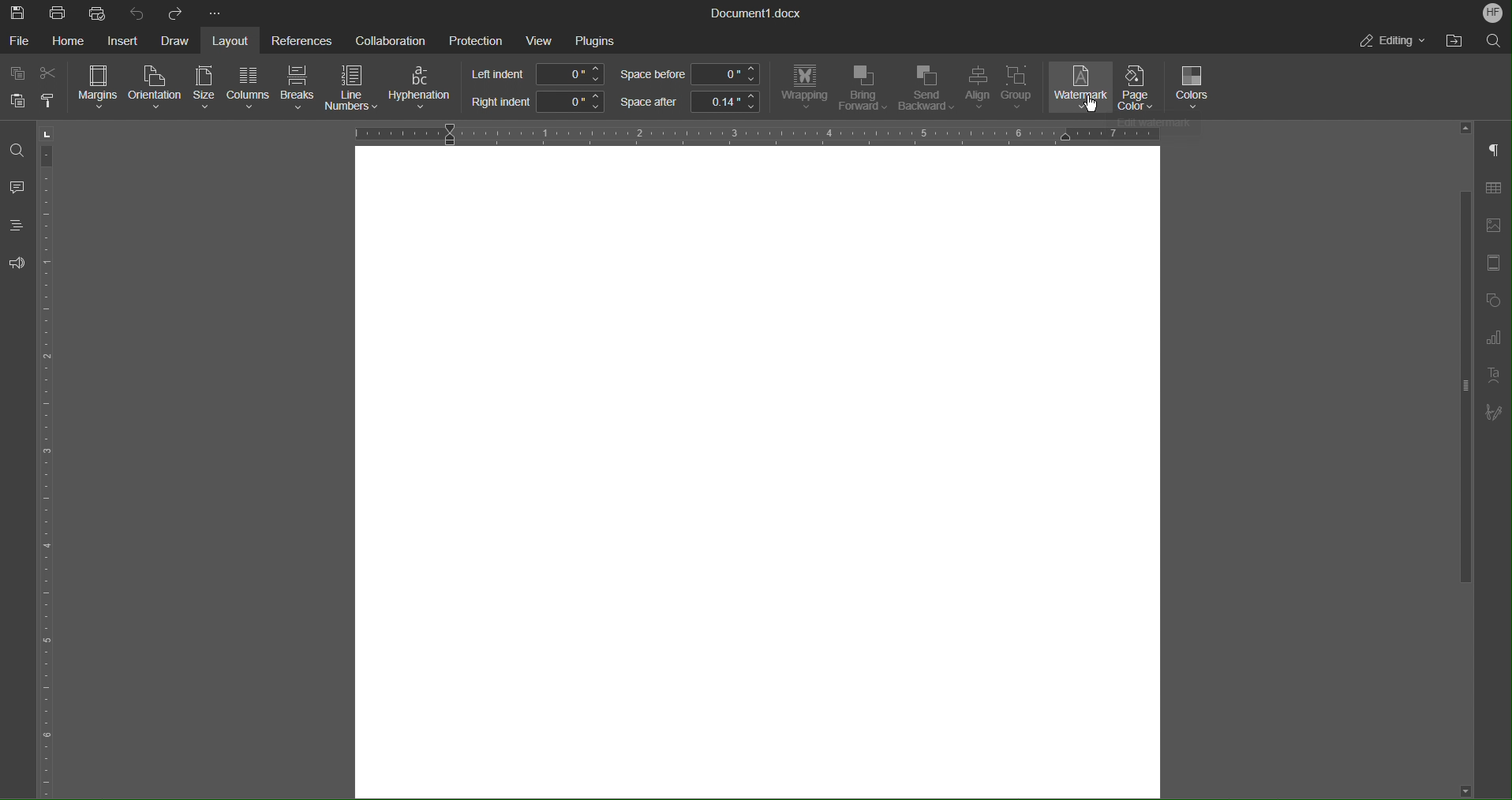 The image size is (1512, 800). I want to click on Watermark, so click(1081, 88).